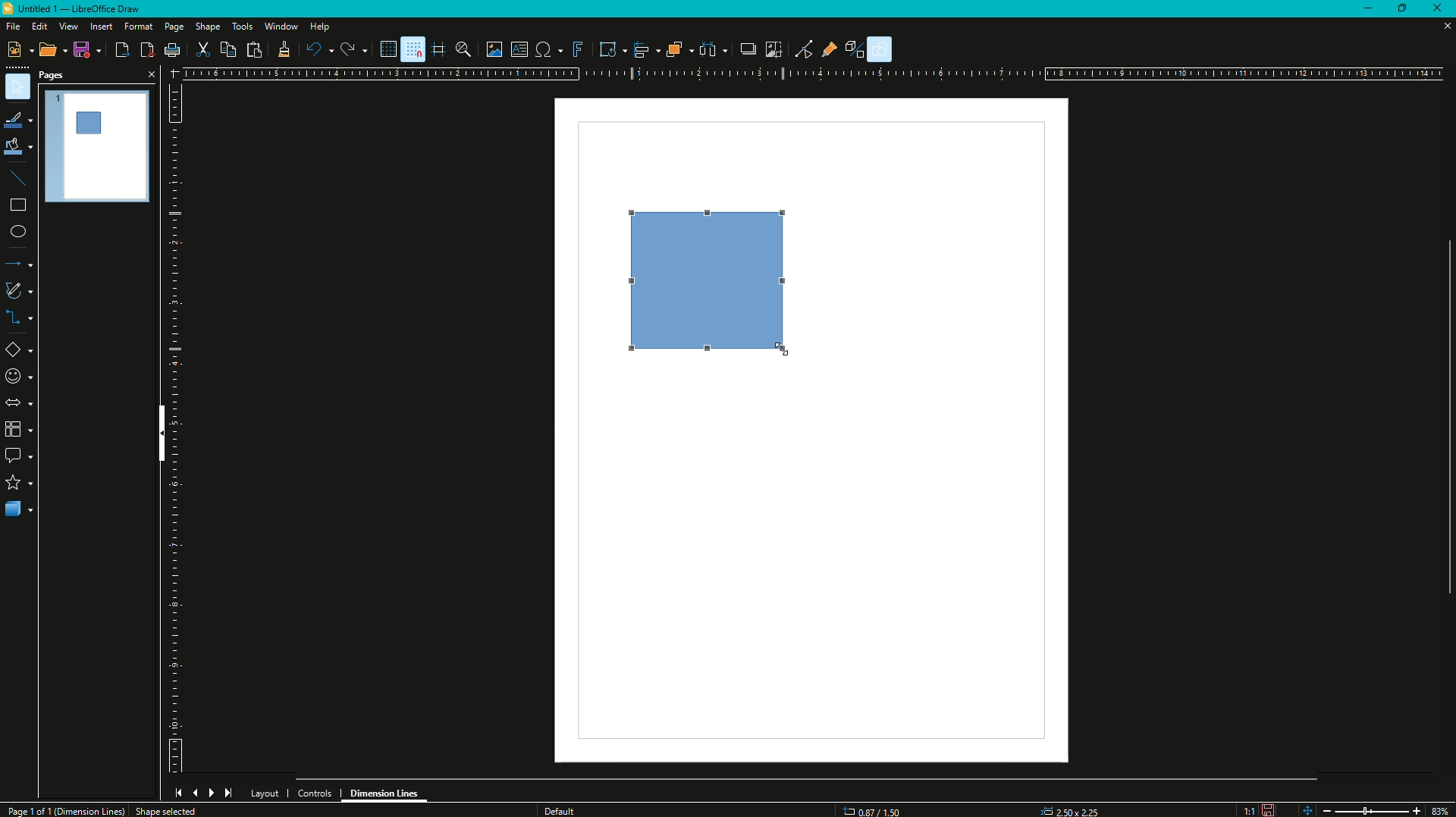 Image resolution: width=1456 pixels, height=817 pixels. Describe the element at coordinates (284, 50) in the screenshot. I see `Clone Formatting` at that location.